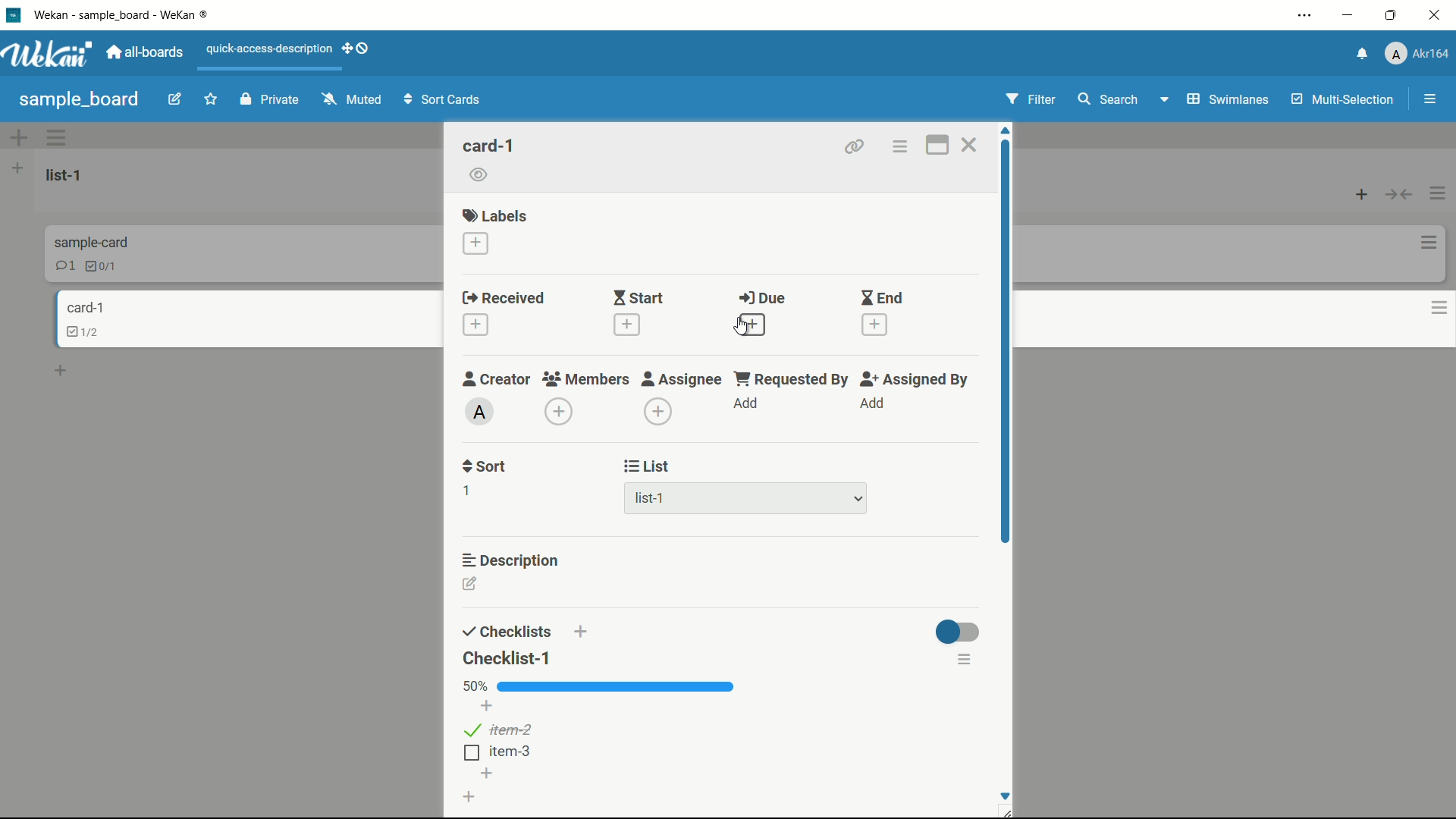 The width and height of the screenshot is (1456, 819). What do you see at coordinates (1426, 99) in the screenshot?
I see `open or close sidebar` at bounding box center [1426, 99].